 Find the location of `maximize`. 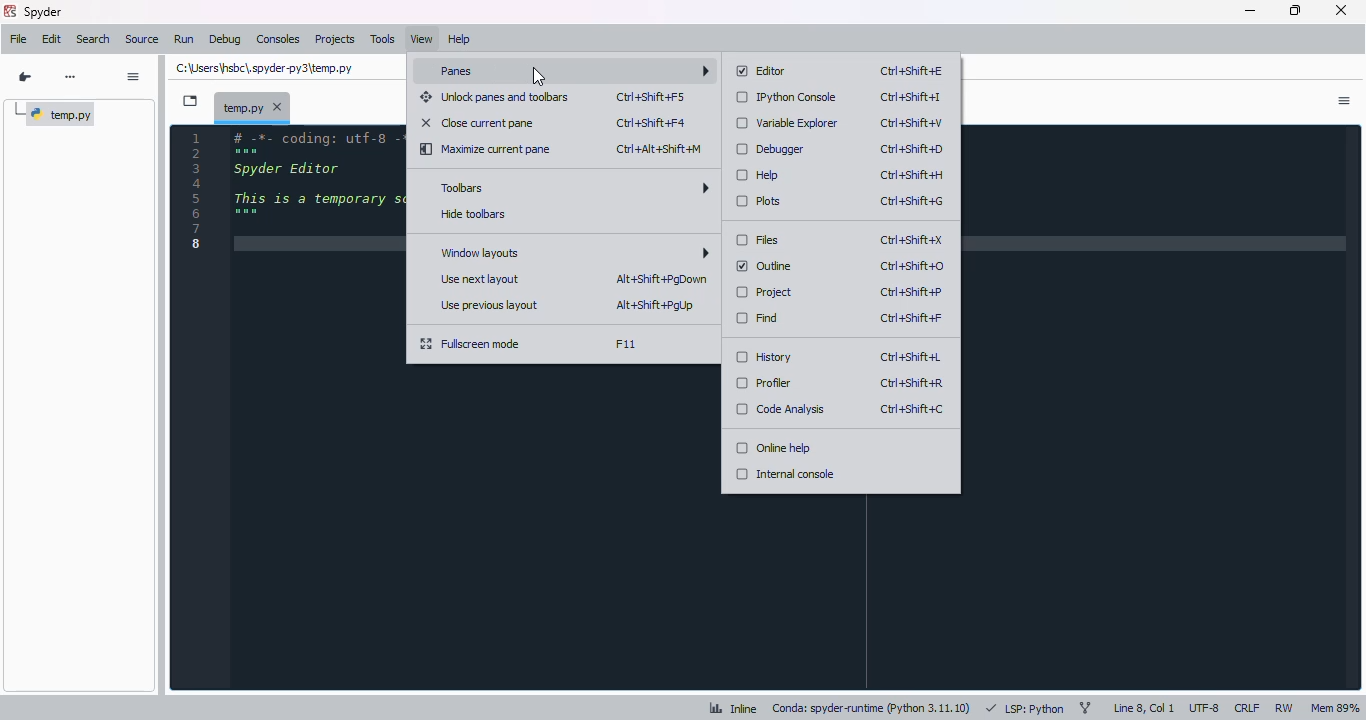

maximize is located at coordinates (1296, 10).